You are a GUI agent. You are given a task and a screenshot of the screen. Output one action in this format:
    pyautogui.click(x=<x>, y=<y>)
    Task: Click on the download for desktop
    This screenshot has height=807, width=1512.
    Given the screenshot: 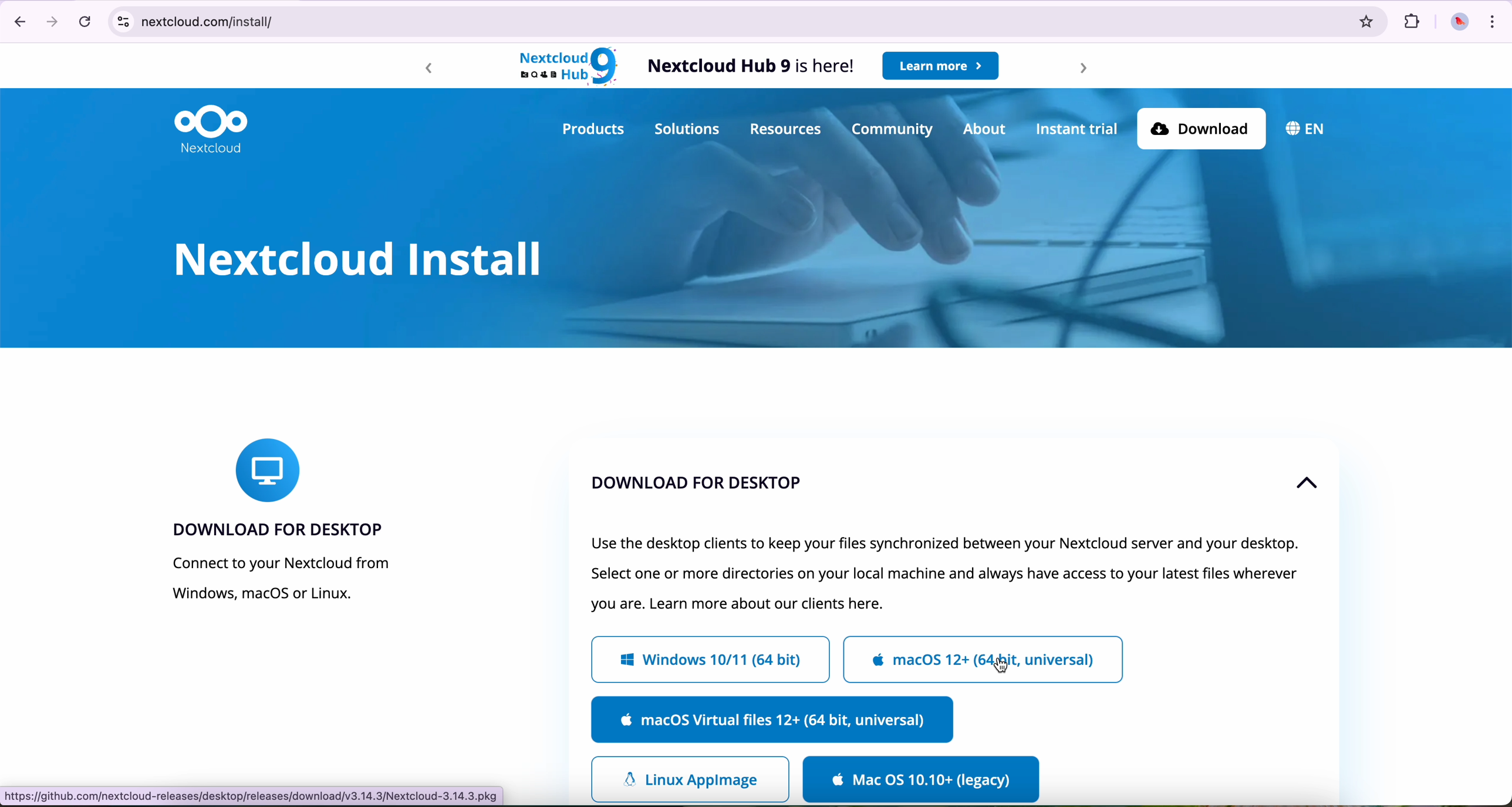 What is the action you would take?
    pyautogui.click(x=277, y=528)
    